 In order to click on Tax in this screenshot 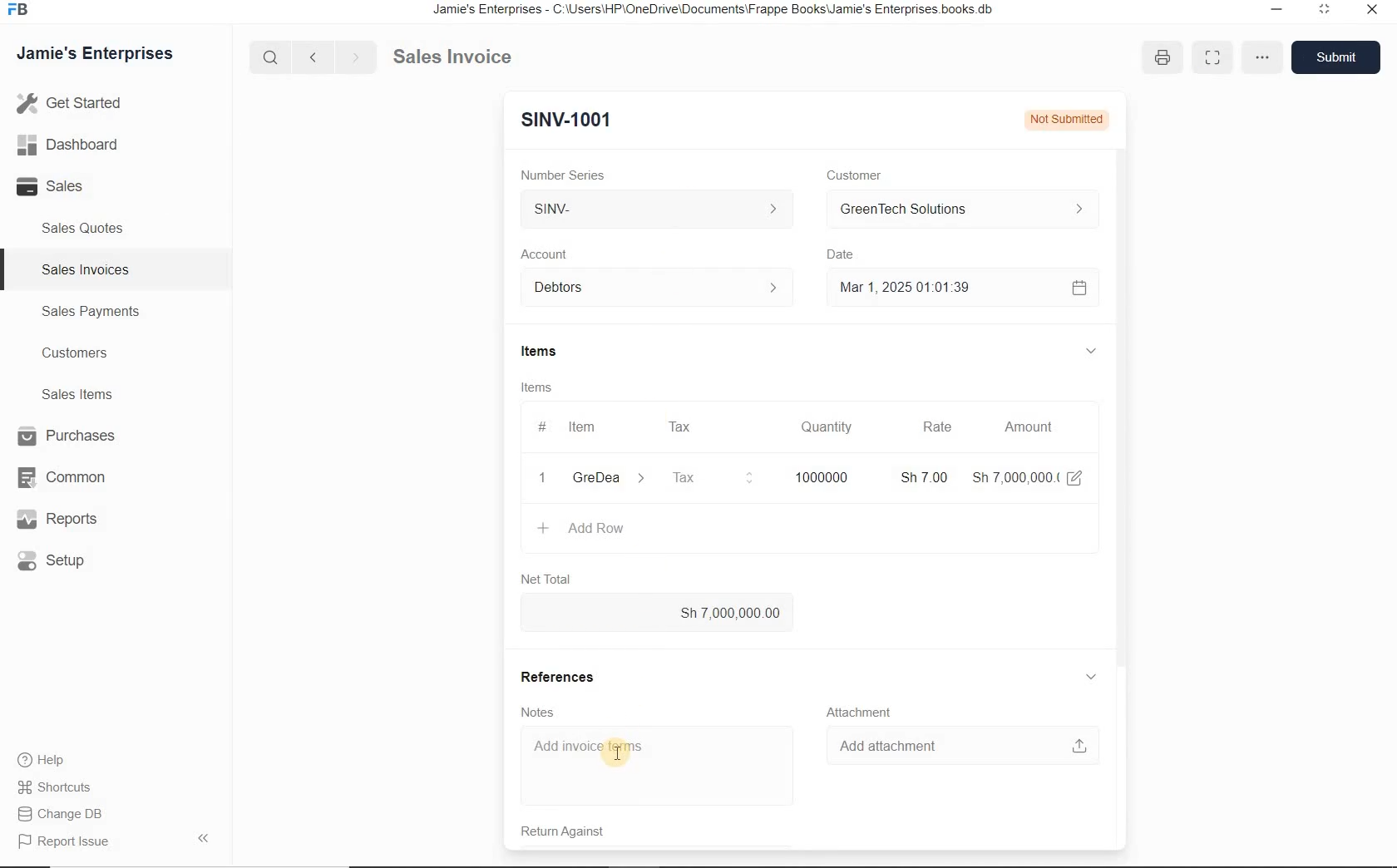, I will do `click(682, 426)`.